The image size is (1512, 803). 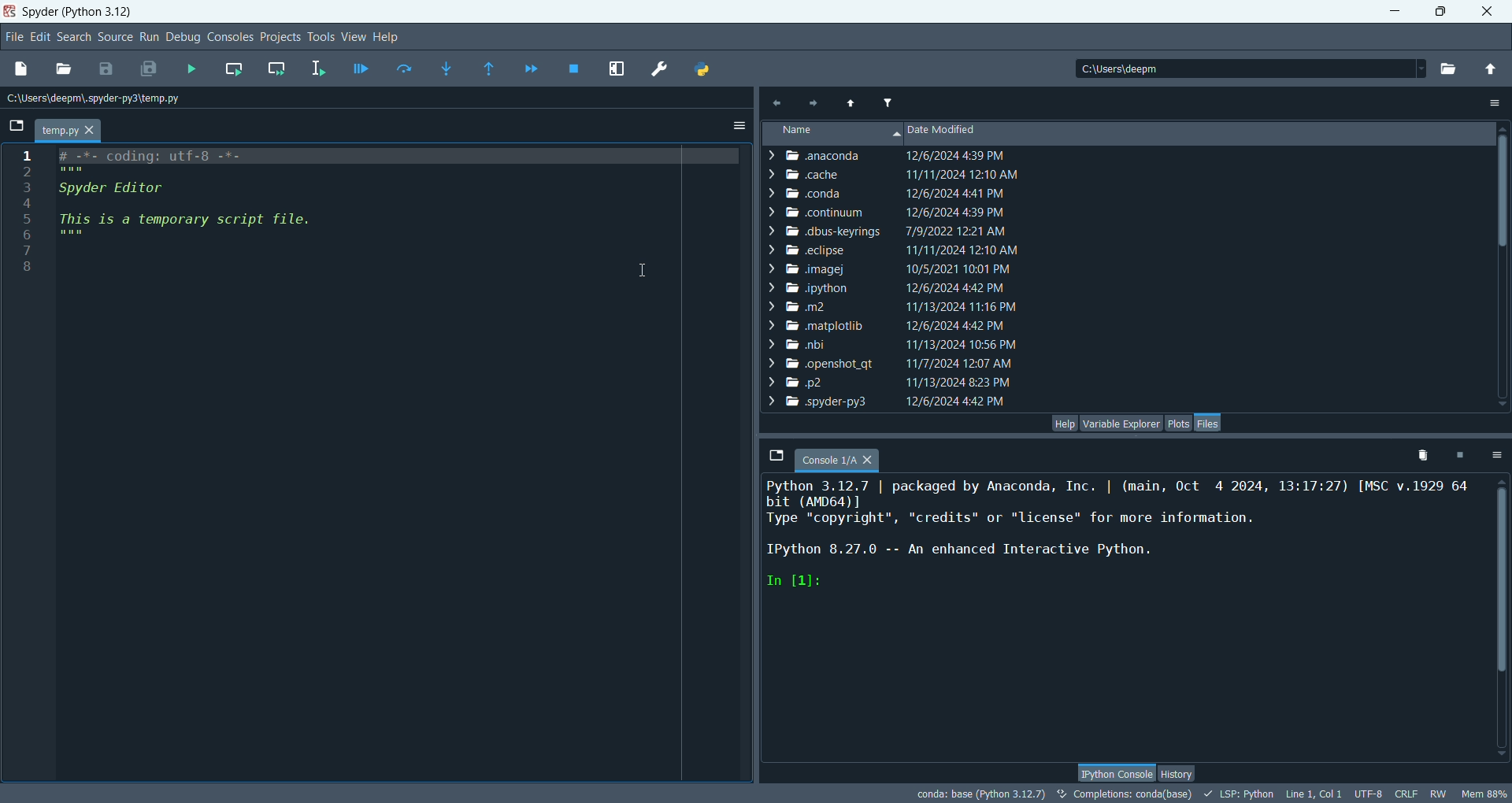 I want to click on preferences, so click(x=655, y=68).